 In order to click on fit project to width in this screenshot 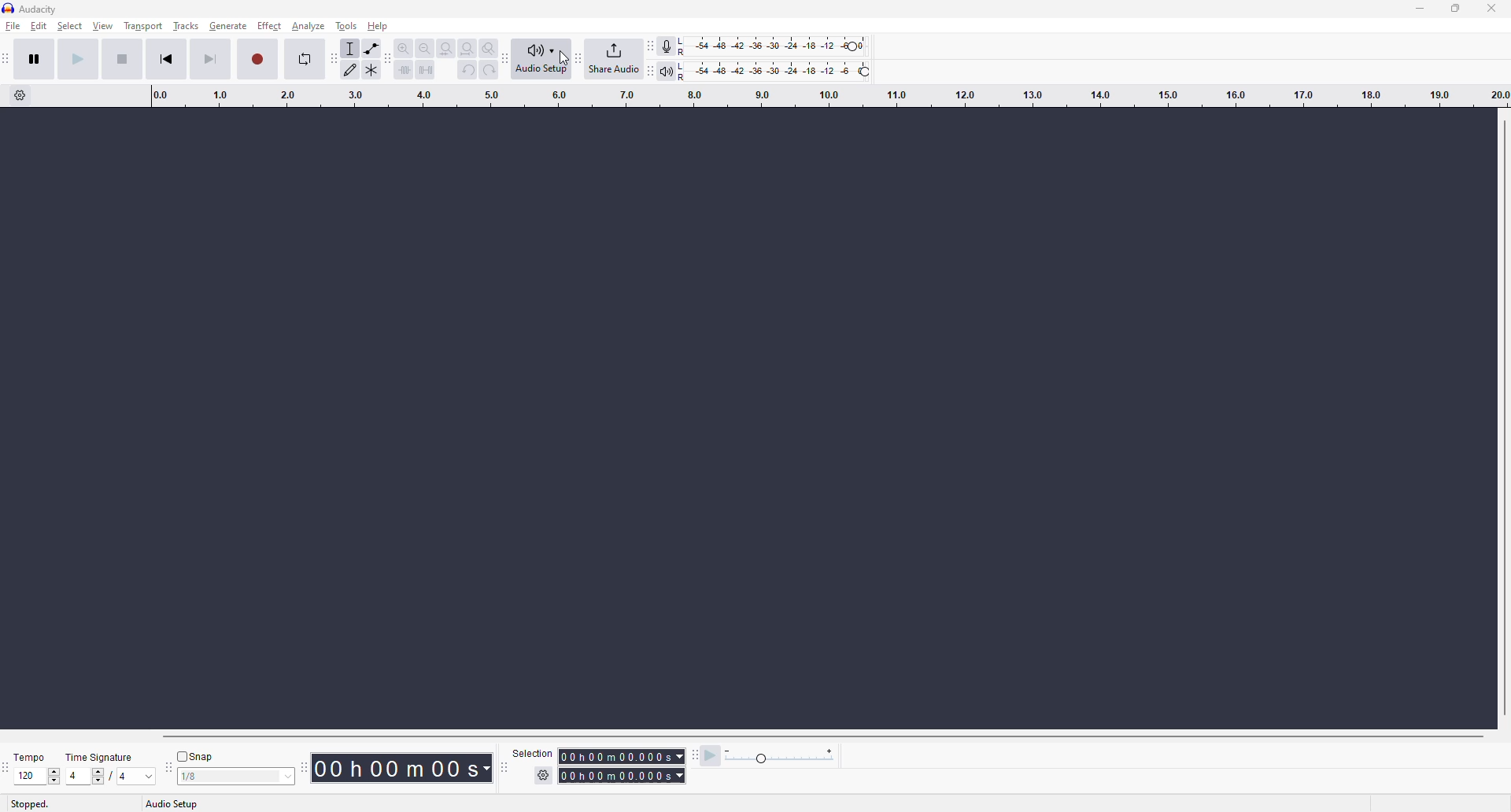, I will do `click(467, 49)`.